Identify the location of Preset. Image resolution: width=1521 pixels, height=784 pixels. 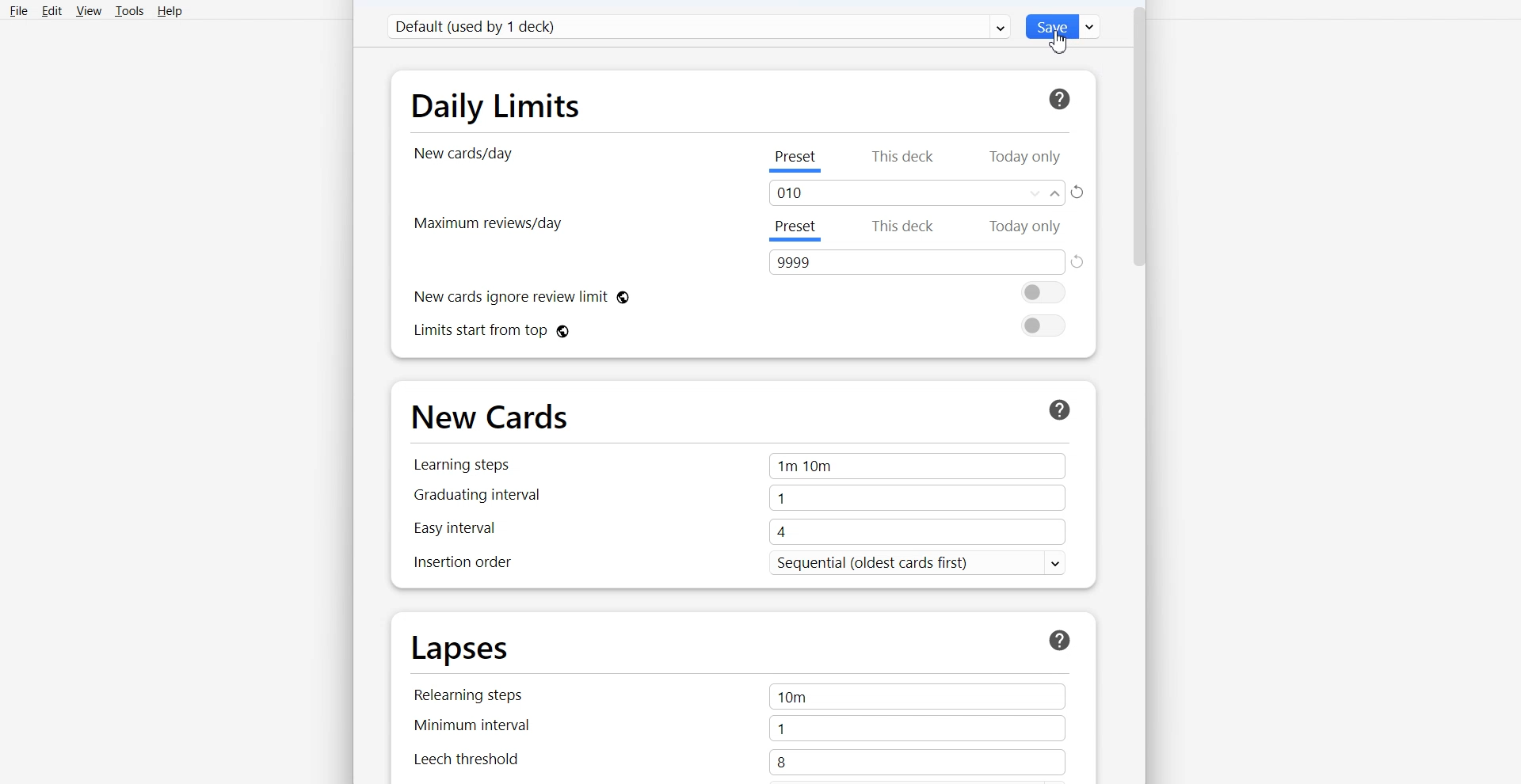
(796, 161).